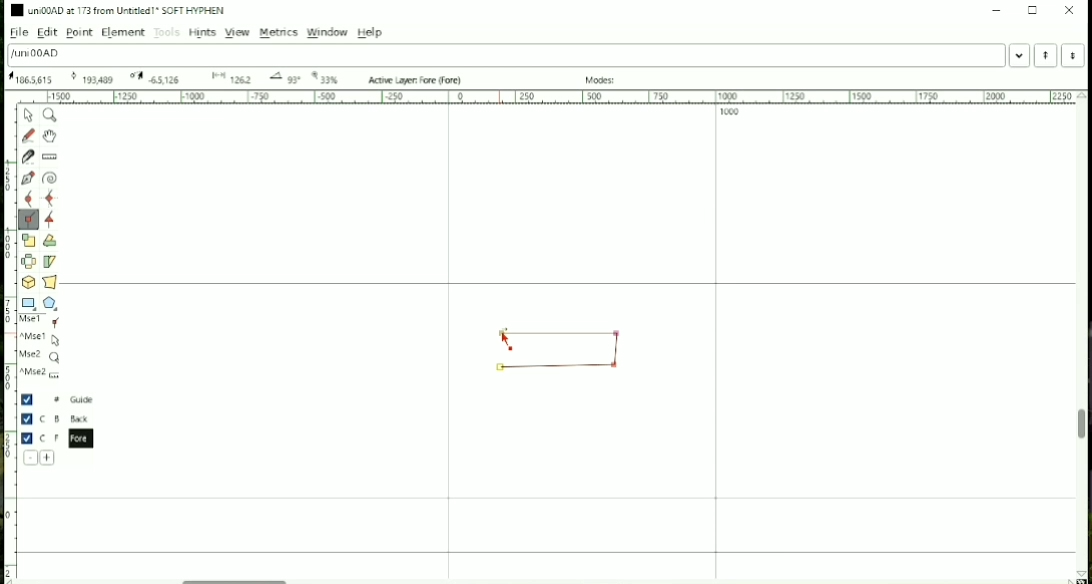  What do you see at coordinates (1070, 10) in the screenshot?
I see `Close` at bounding box center [1070, 10].